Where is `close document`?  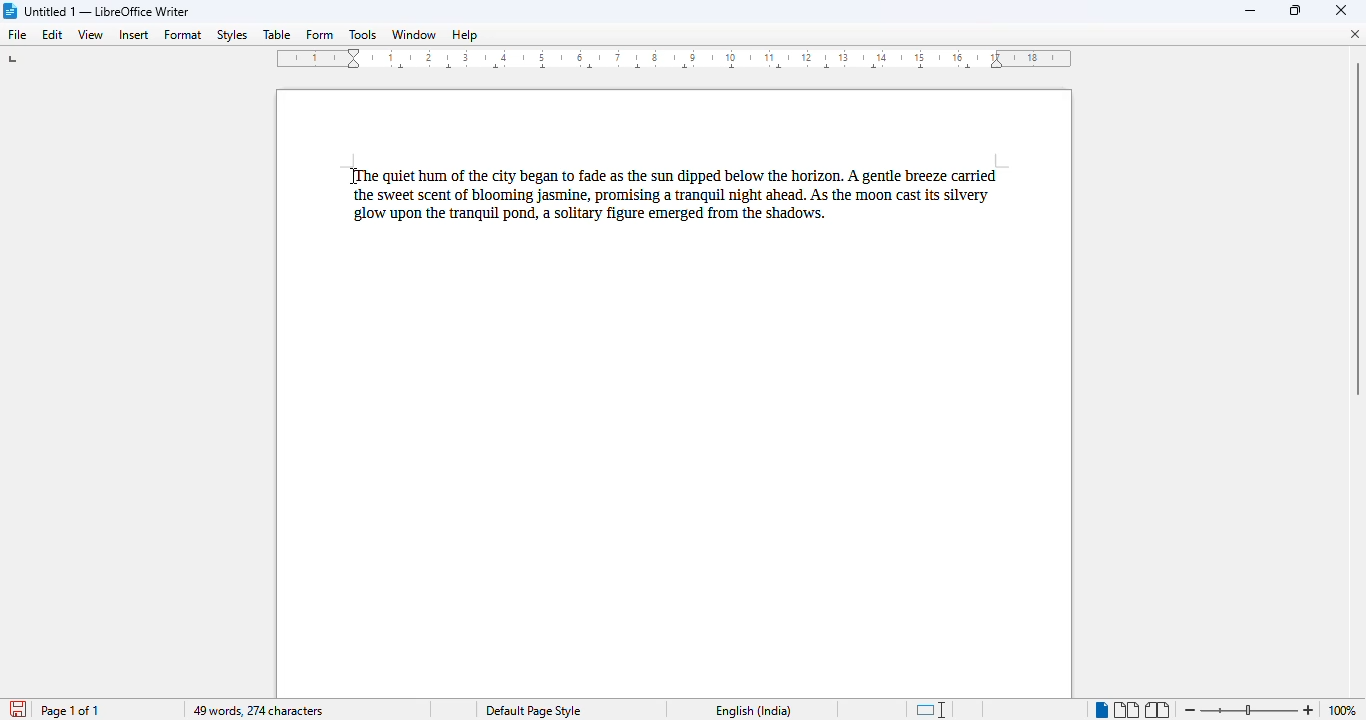
close document is located at coordinates (1355, 34).